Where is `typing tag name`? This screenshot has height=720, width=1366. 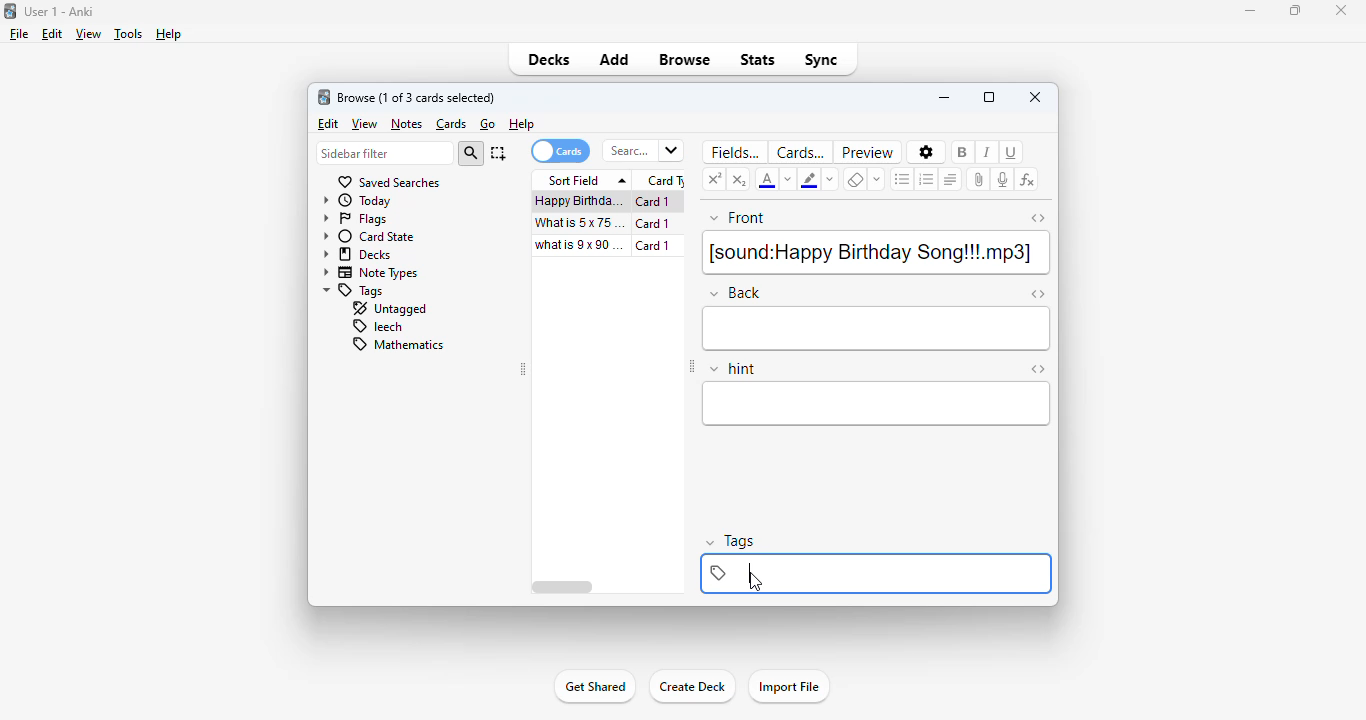
typing tag name is located at coordinates (878, 573).